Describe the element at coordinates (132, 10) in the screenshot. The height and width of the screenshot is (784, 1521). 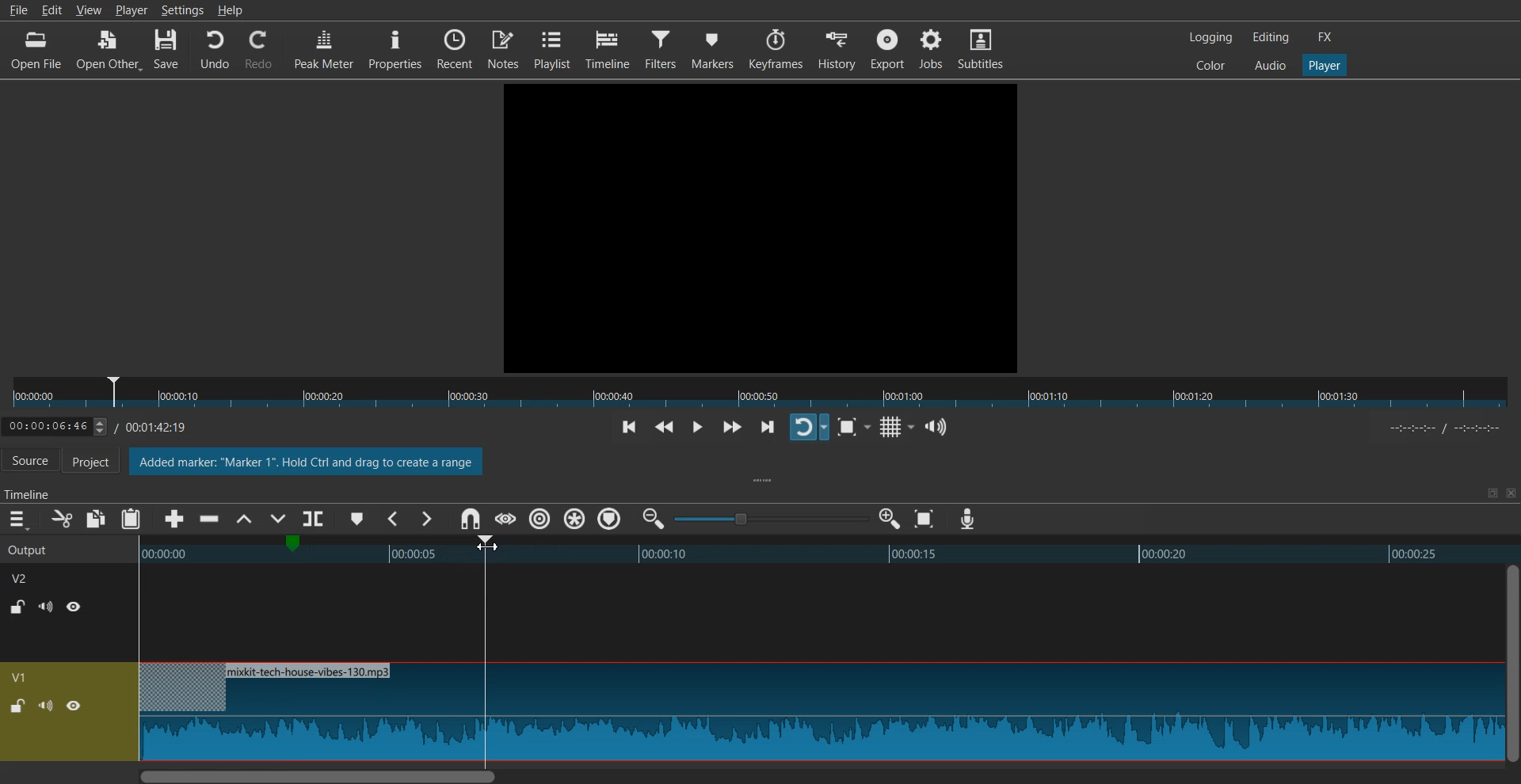
I see `Player` at that location.